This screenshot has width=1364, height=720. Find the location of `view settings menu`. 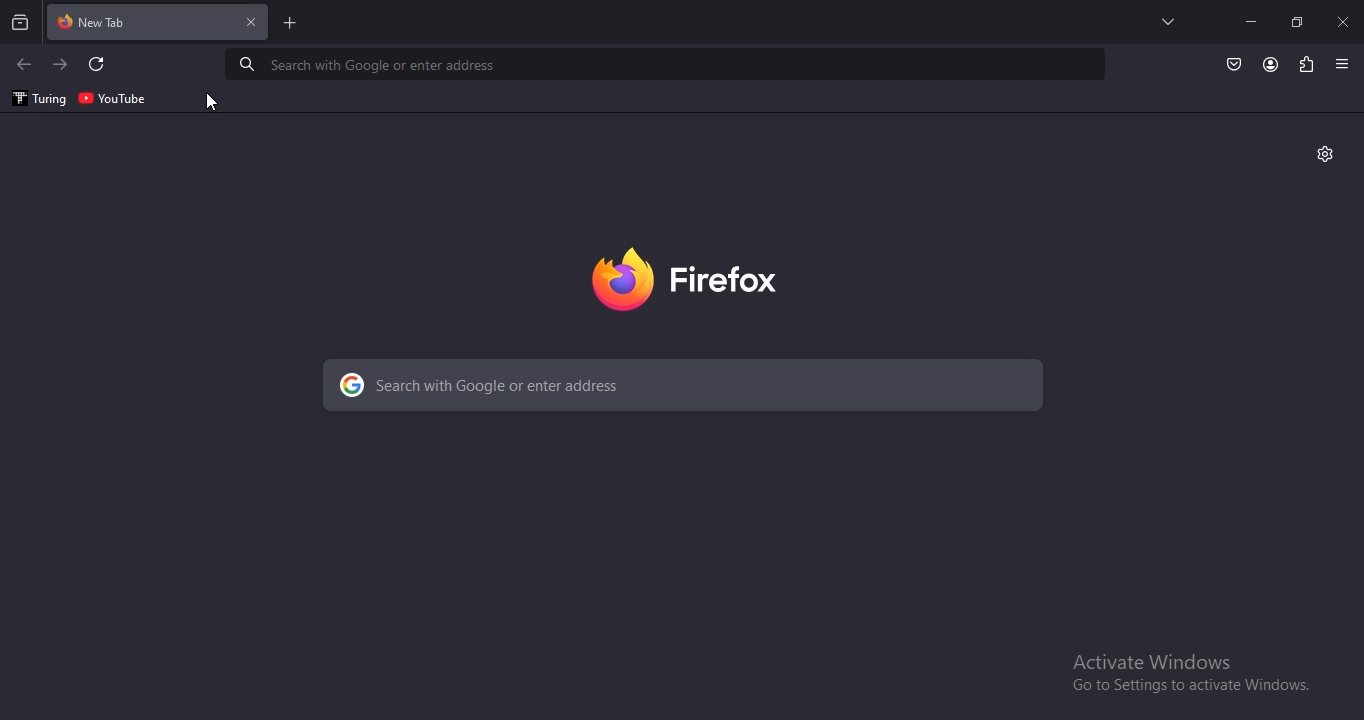

view settings menu is located at coordinates (1343, 63).